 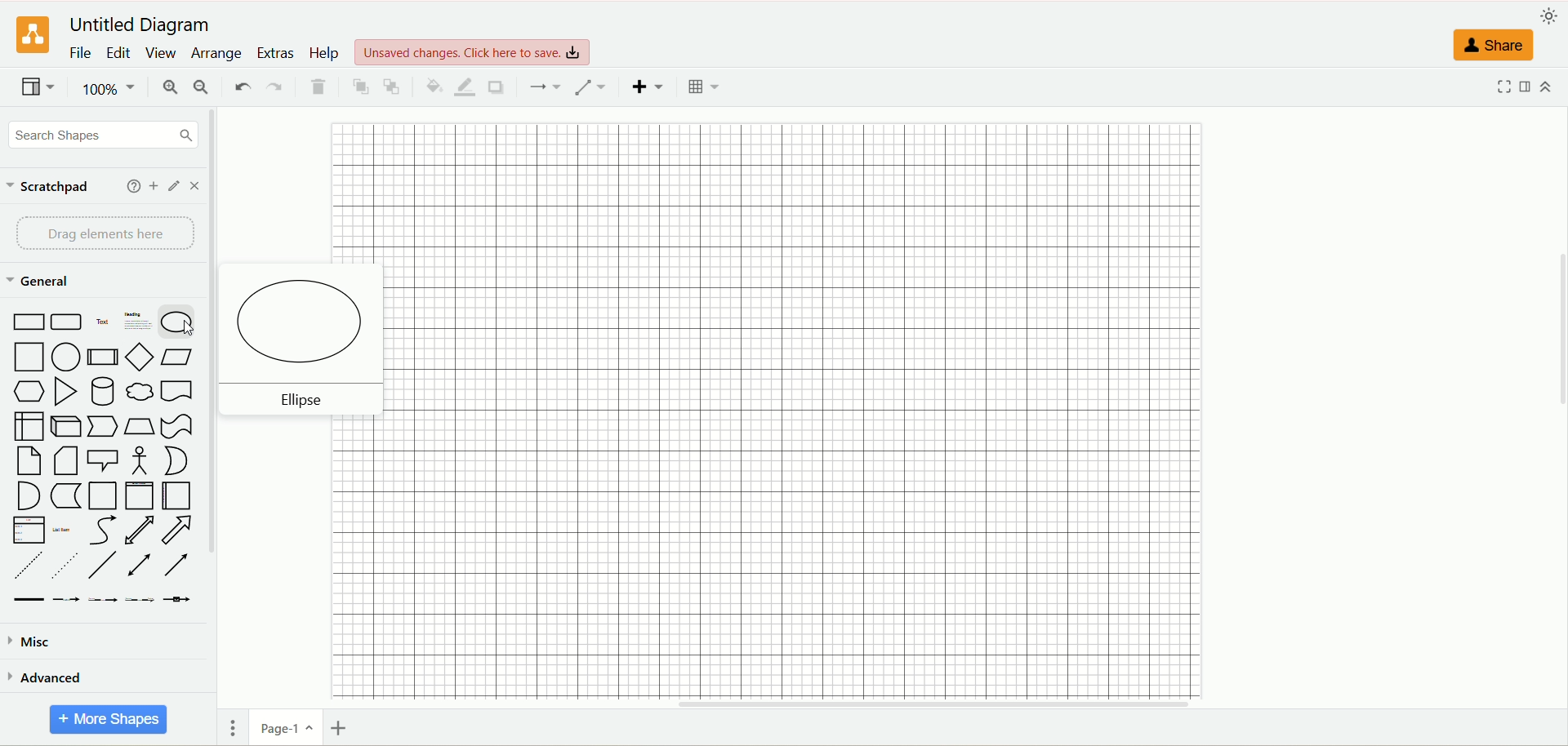 I want to click on appearance, so click(x=1552, y=16).